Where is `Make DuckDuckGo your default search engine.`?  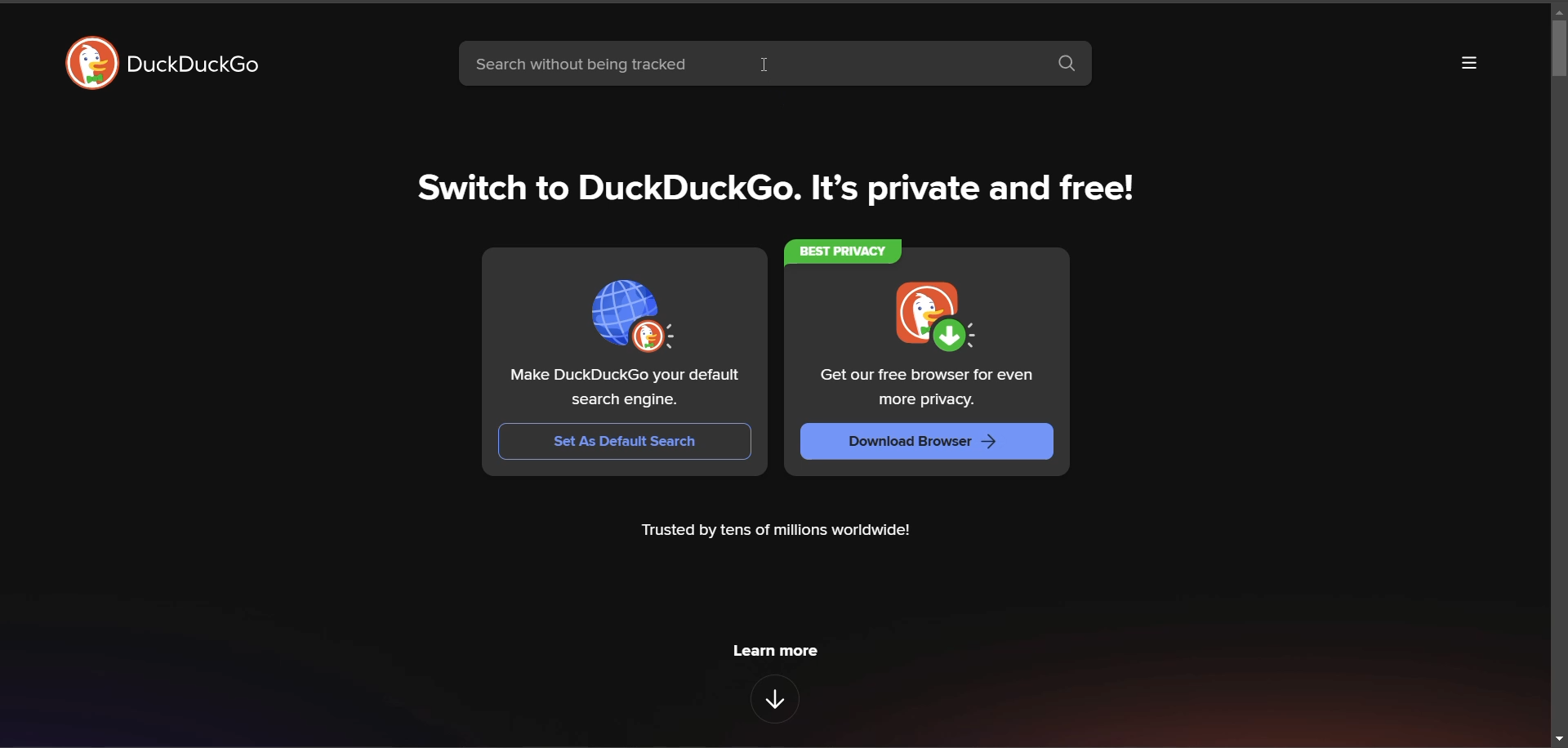 Make DuckDuckGo your default search engine. is located at coordinates (623, 389).